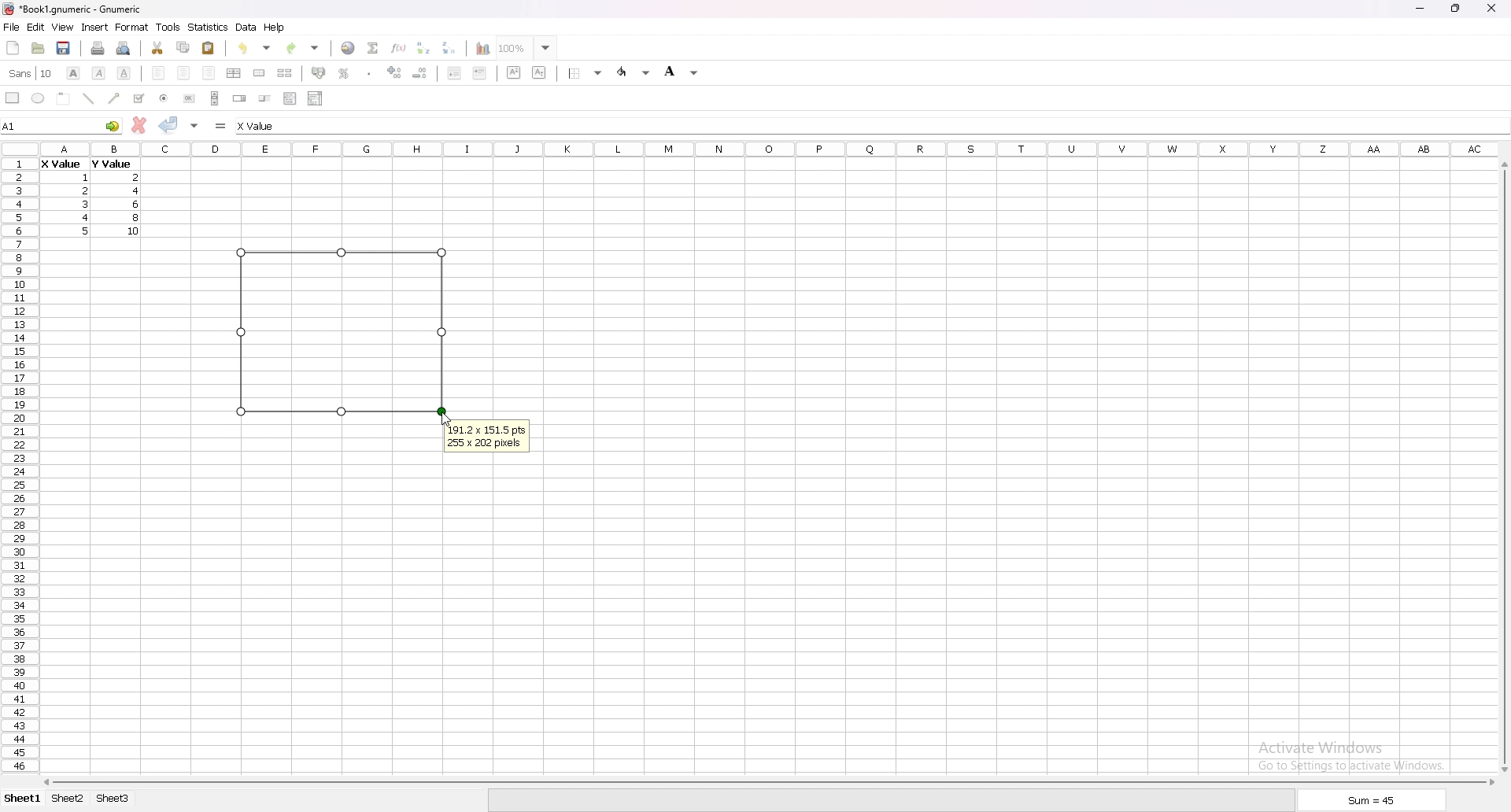  I want to click on file, so click(11, 28).